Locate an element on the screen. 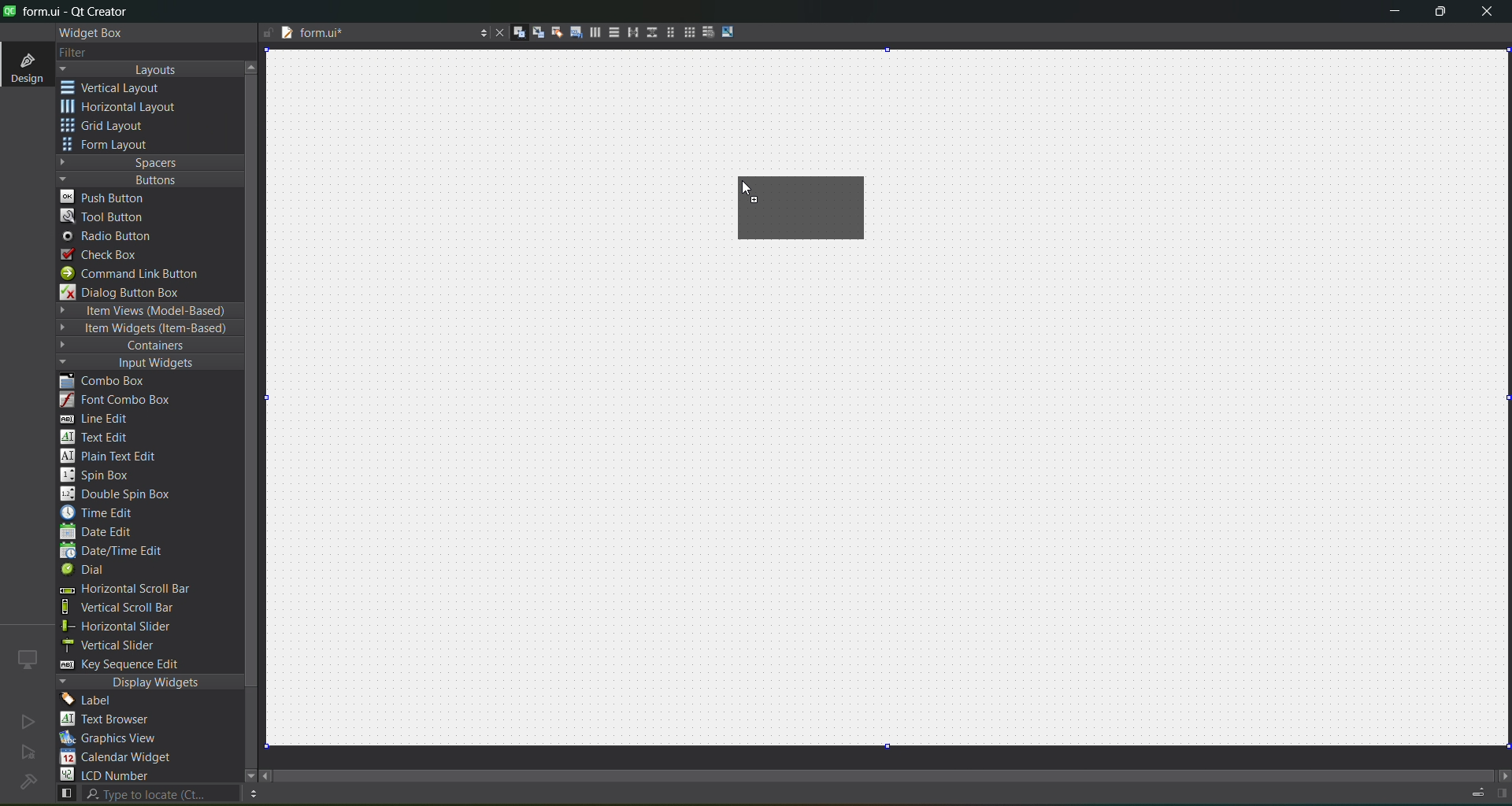 The width and height of the screenshot is (1512, 806). text is located at coordinates (114, 720).